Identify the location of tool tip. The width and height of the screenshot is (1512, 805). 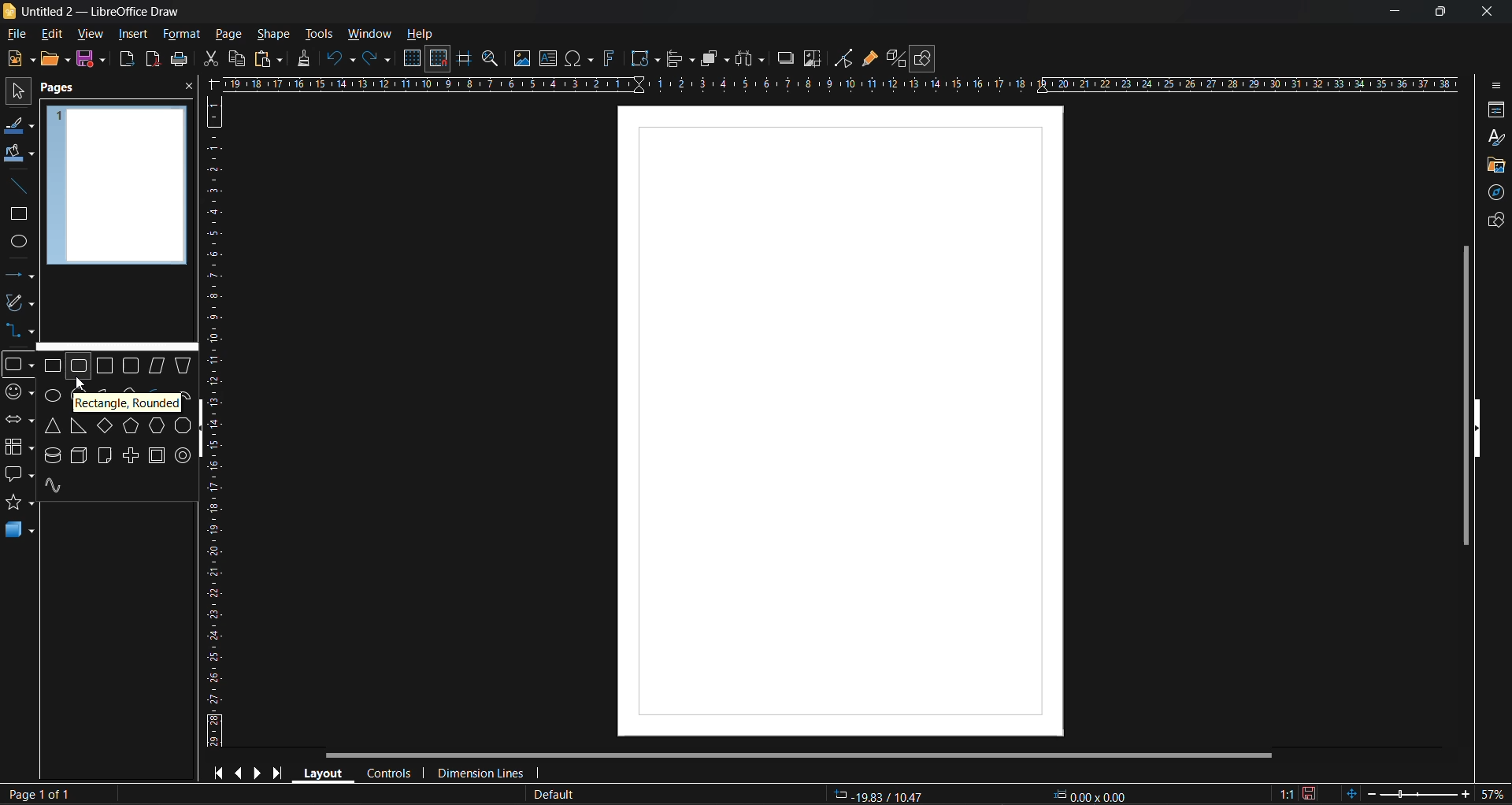
(125, 404).